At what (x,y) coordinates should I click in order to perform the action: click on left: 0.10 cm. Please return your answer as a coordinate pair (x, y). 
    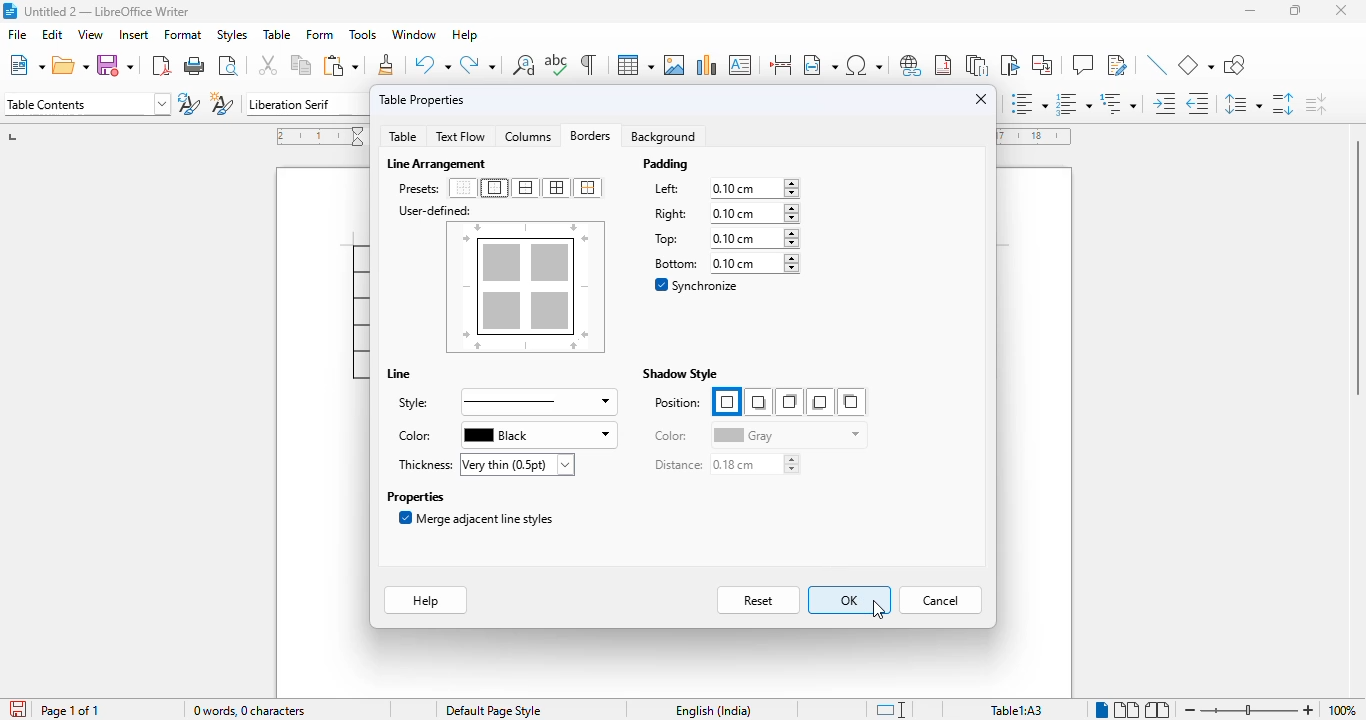
    Looking at the image, I should click on (724, 189).